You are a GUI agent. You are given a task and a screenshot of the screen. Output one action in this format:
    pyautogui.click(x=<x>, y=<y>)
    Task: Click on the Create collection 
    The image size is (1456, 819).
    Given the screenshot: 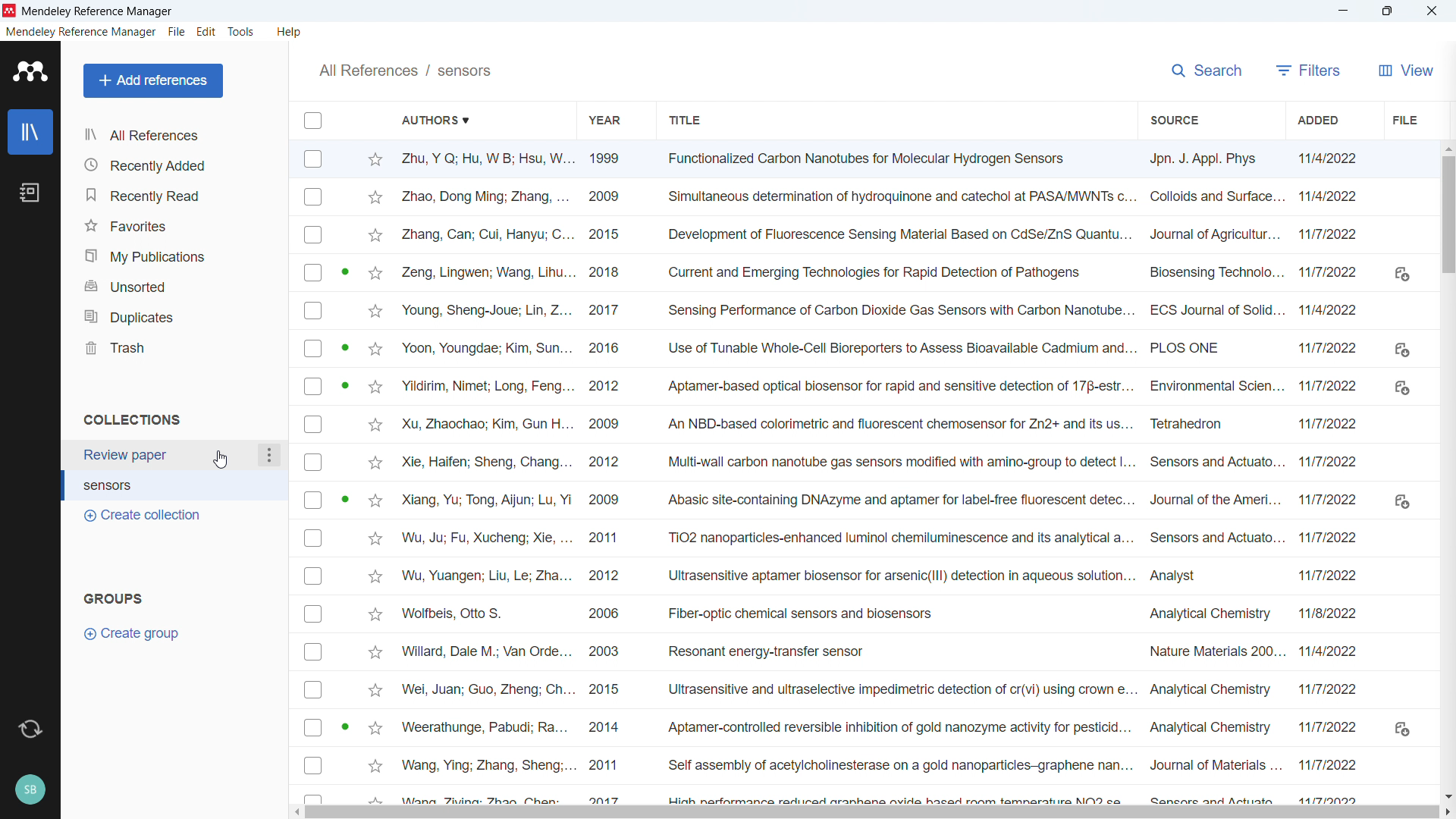 What is the action you would take?
    pyautogui.click(x=143, y=516)
    